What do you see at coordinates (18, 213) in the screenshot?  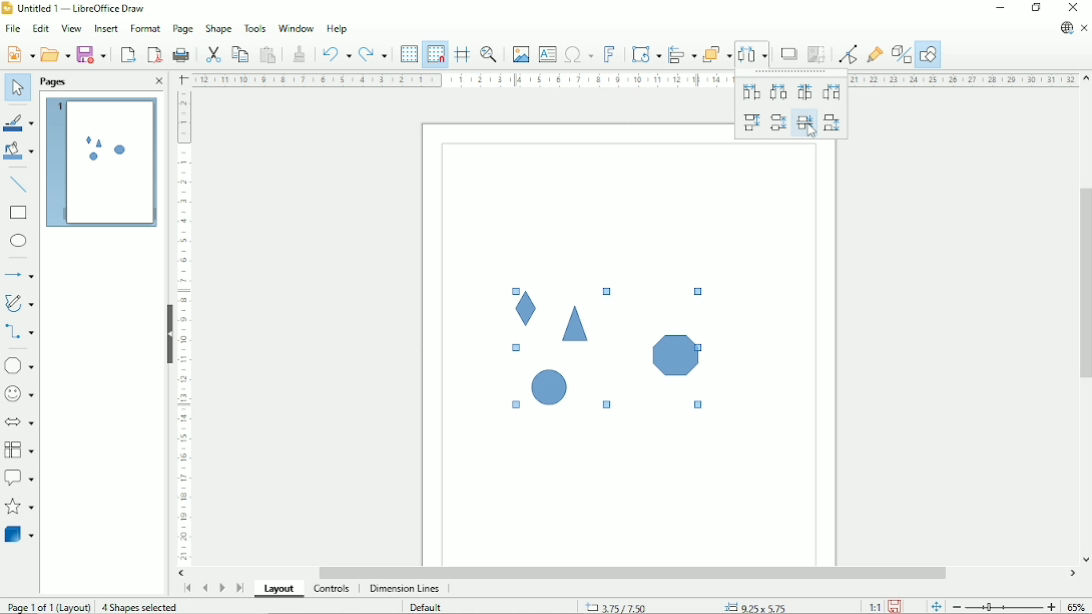 I see `rectangle` at bounding box center [18, 213].